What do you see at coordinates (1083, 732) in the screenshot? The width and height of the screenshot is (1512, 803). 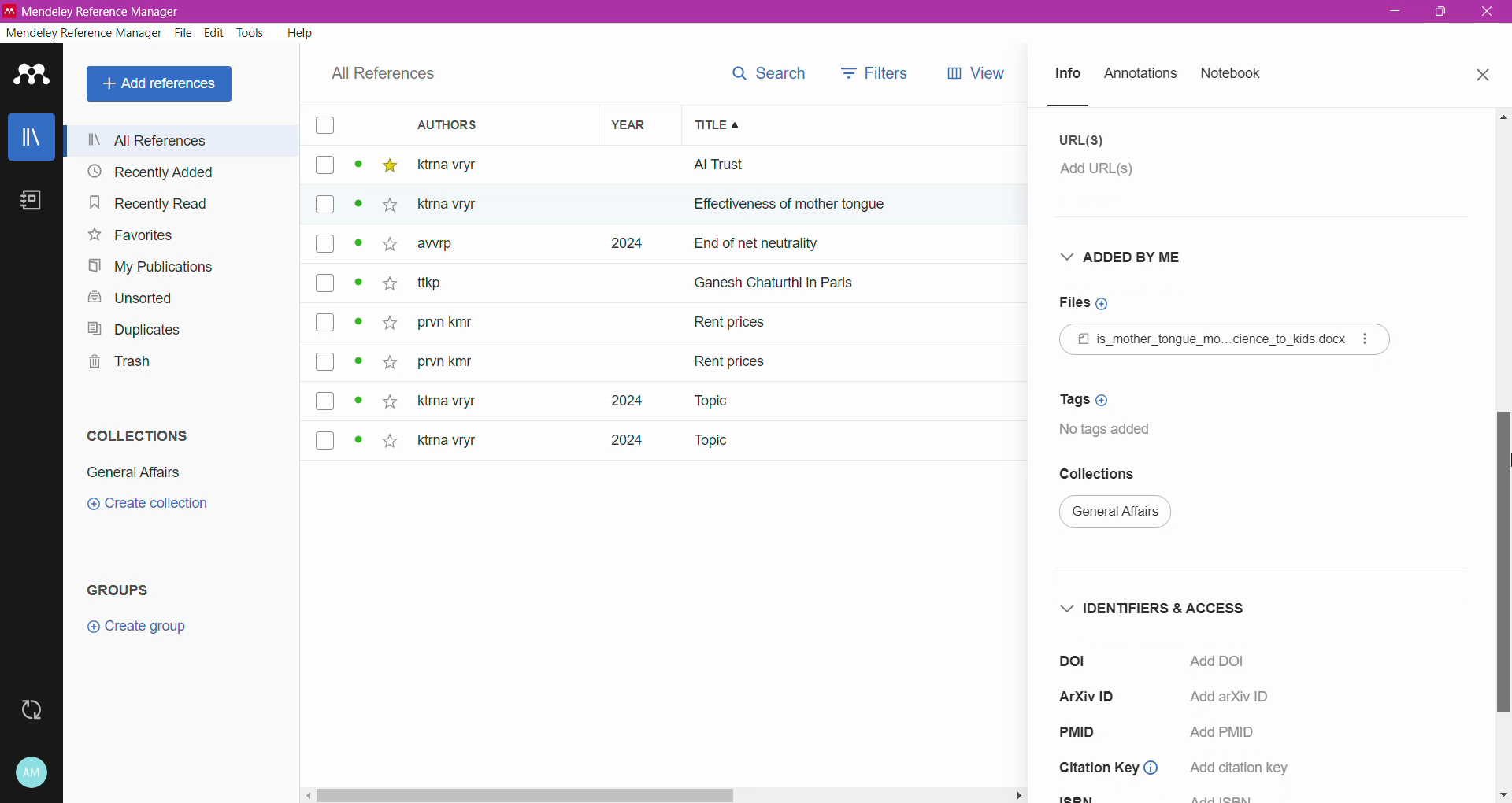 I see `PMID` at bounding box center [1083, 732].